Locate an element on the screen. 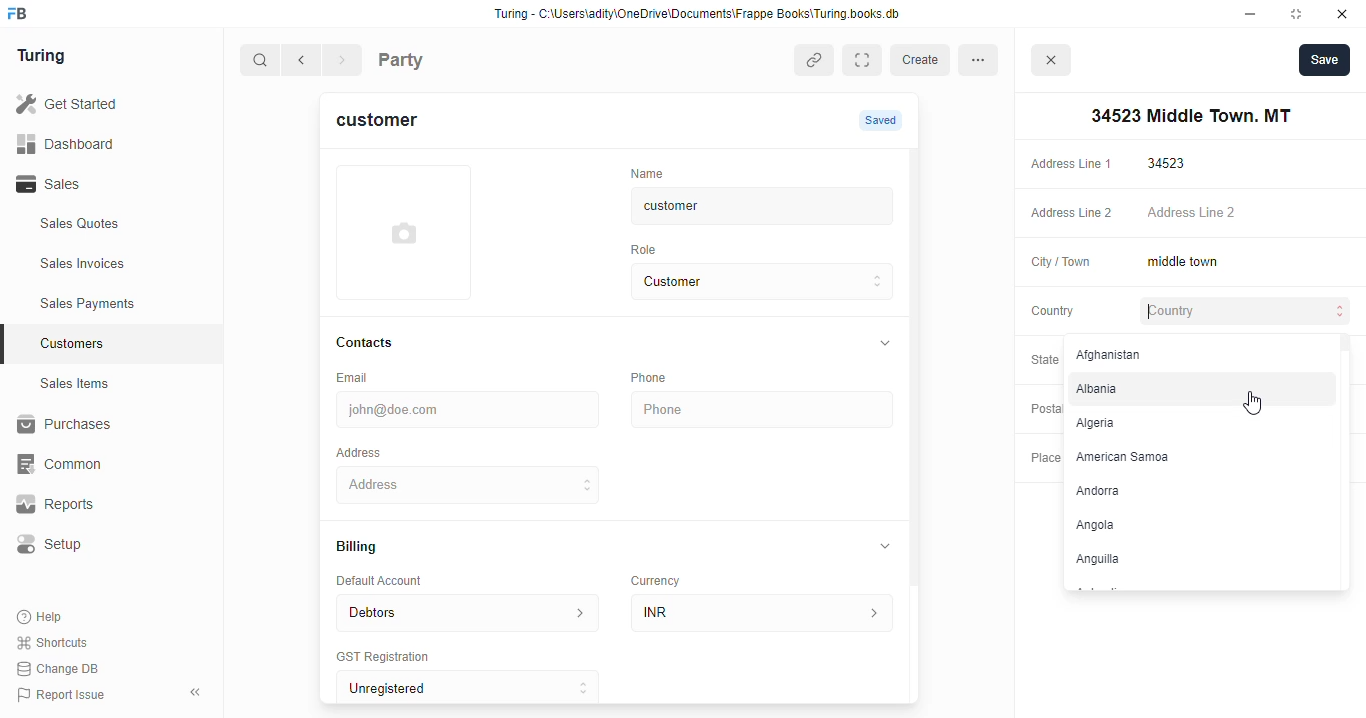 This screenshot has width=1366, height=718. minimise is located at coordinates (1251, 14).